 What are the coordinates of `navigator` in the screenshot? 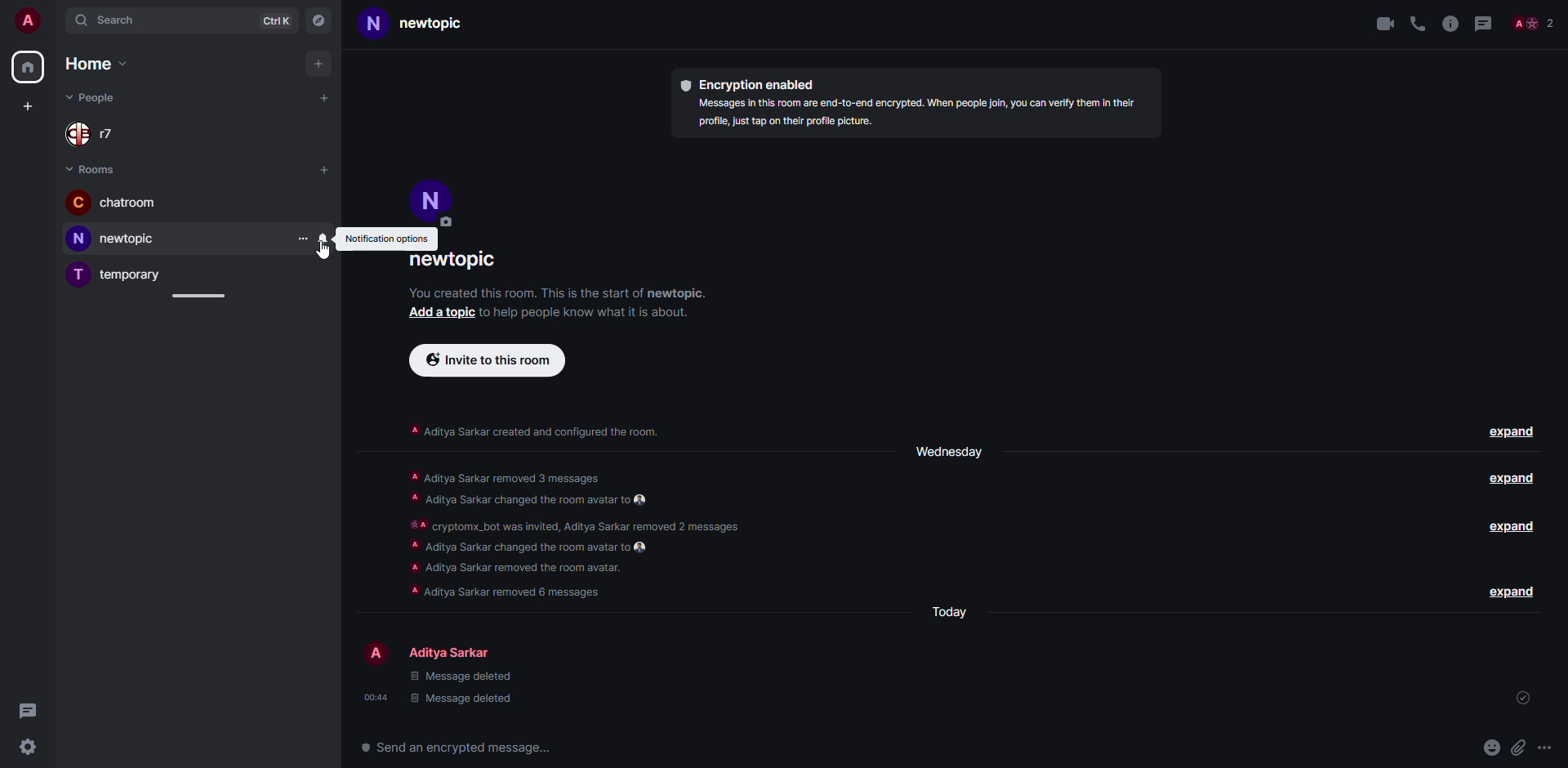 It's located at (320, 22).